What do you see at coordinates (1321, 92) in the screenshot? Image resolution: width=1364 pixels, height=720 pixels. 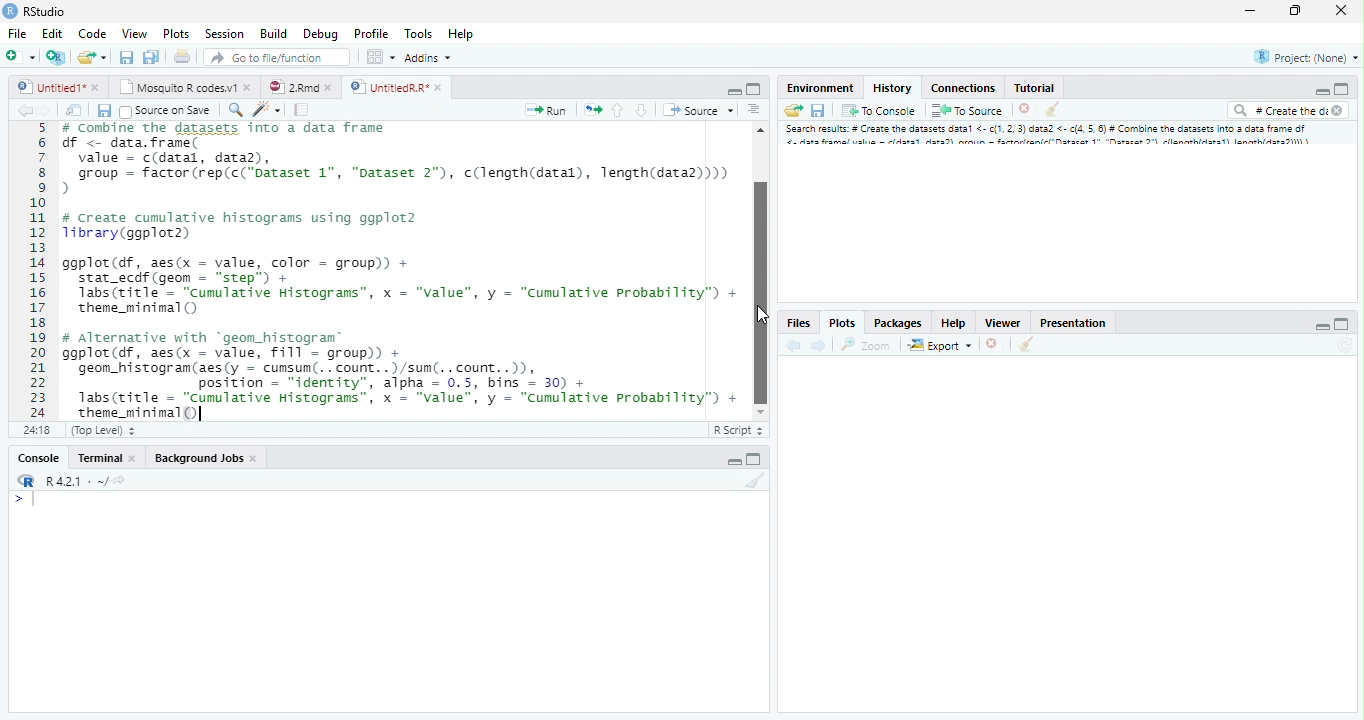 I see `Minimize` at bounding box center [1321, 92].